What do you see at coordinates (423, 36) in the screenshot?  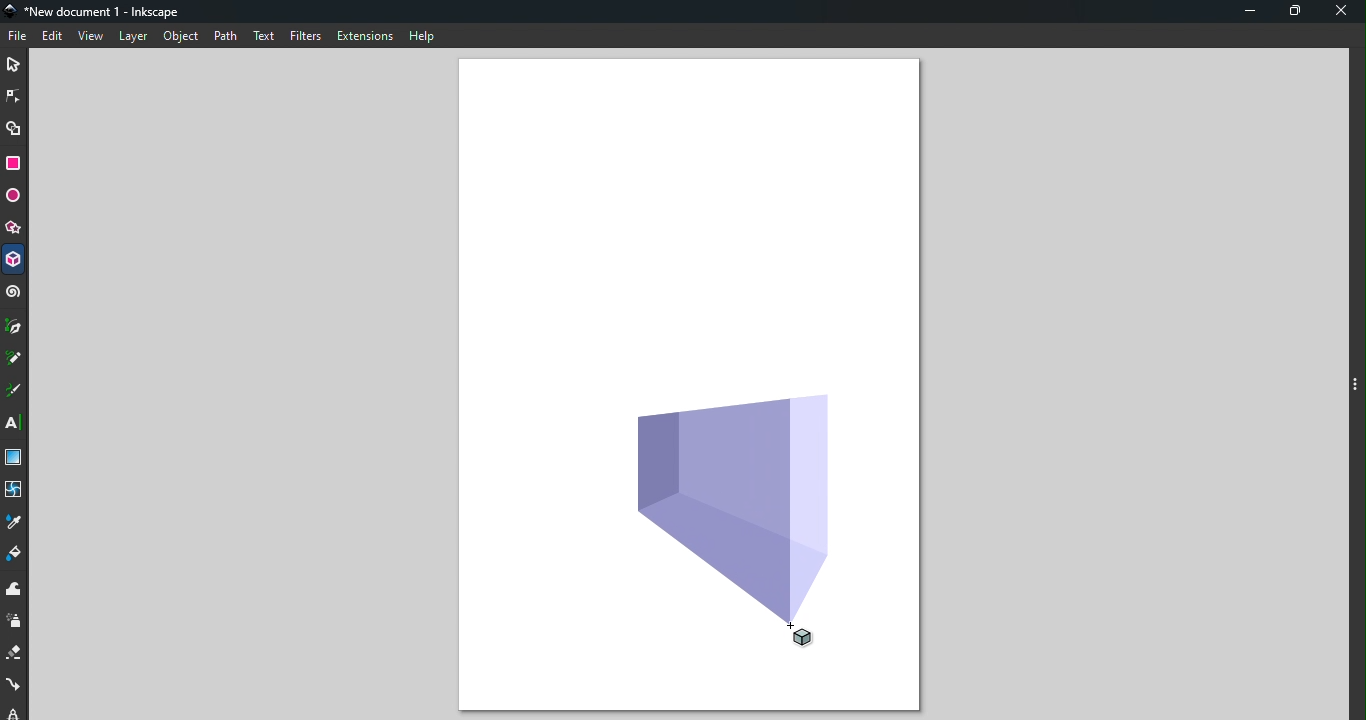 I see `Help` at bounding box center [423, 36].